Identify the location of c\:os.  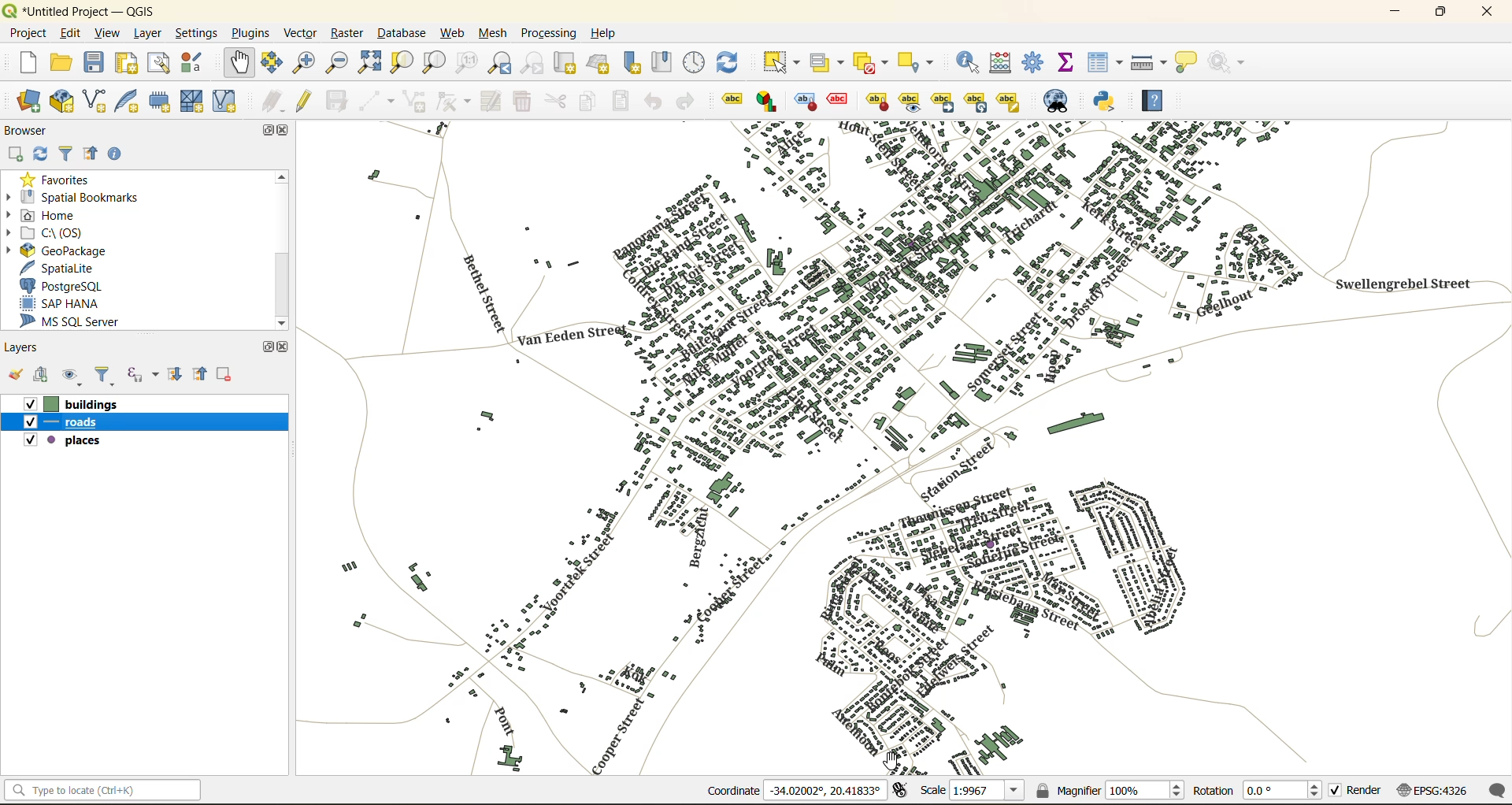
(57, 234).